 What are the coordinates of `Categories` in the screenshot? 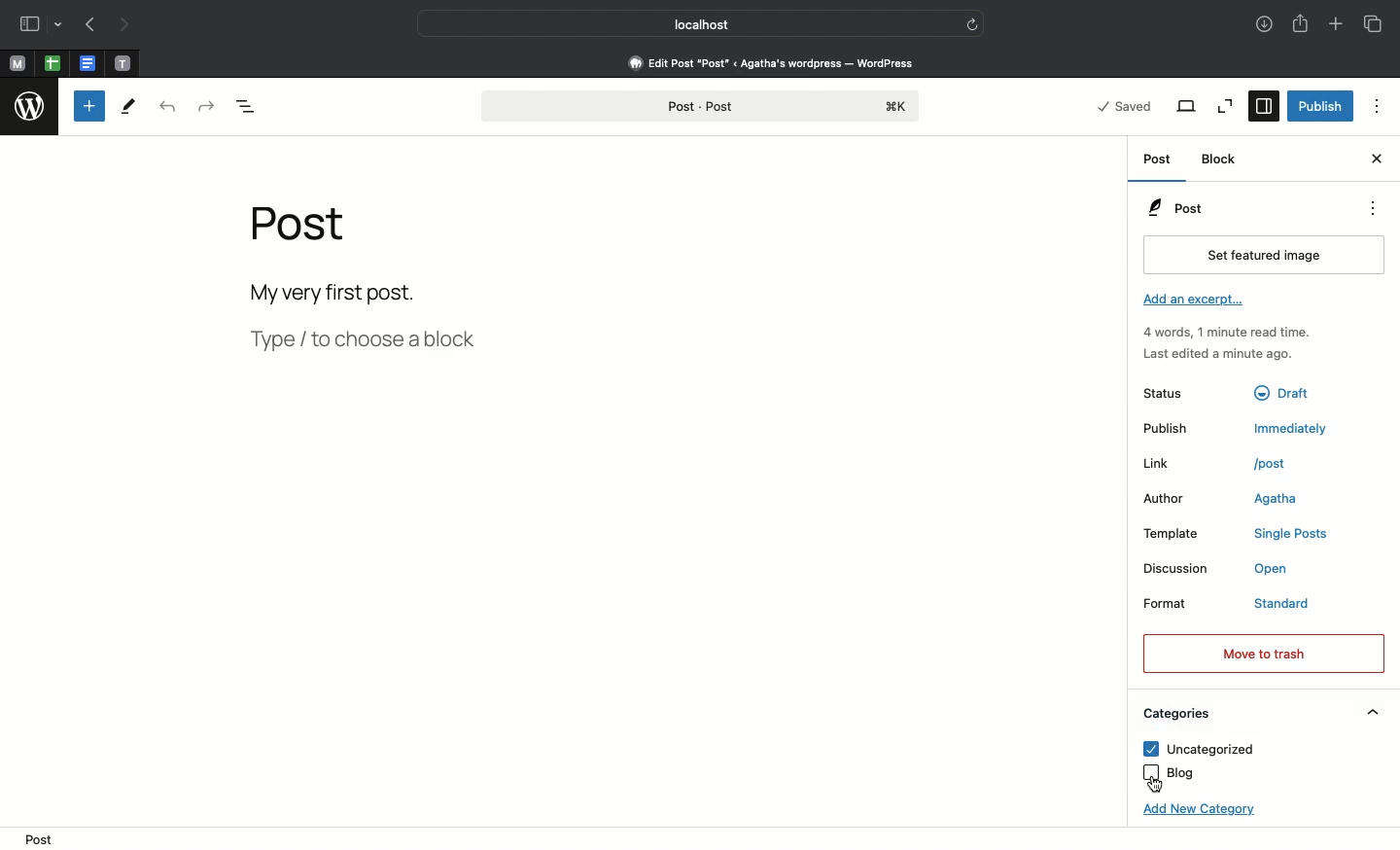 It's located at (1174, 714).